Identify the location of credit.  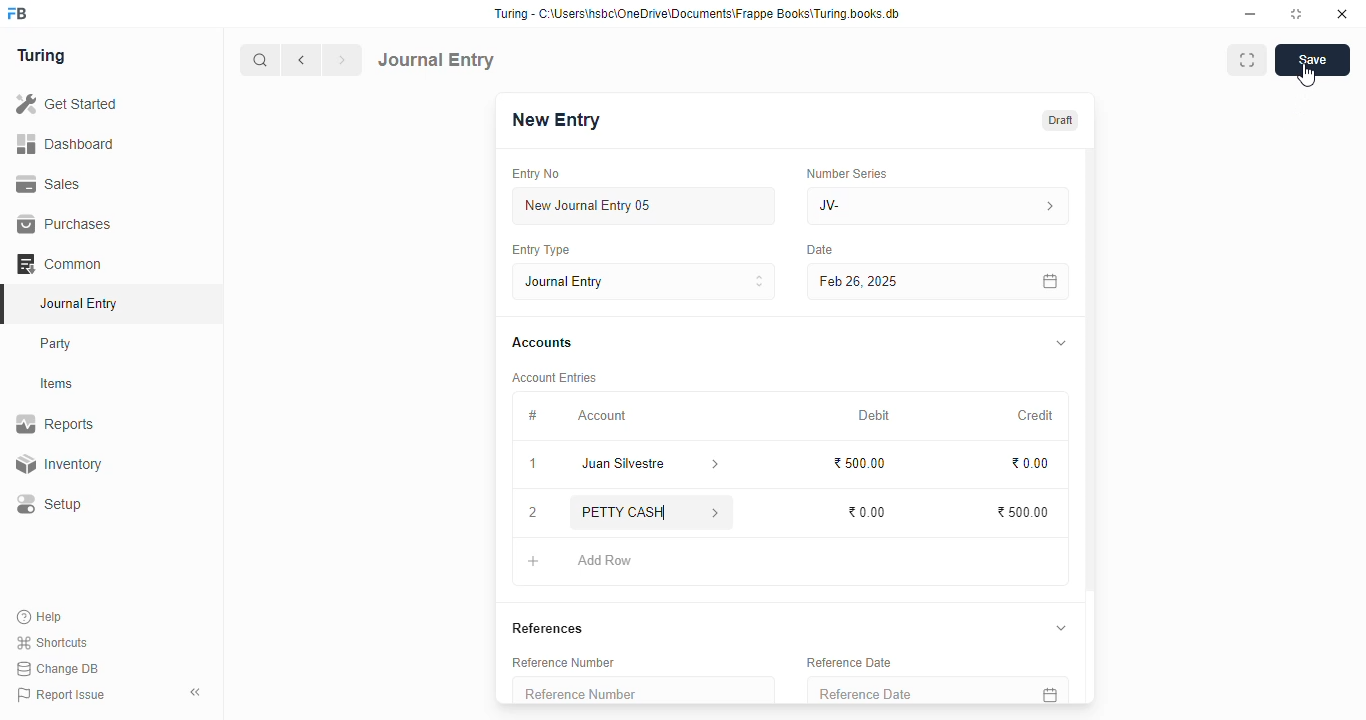
(1037, 415).